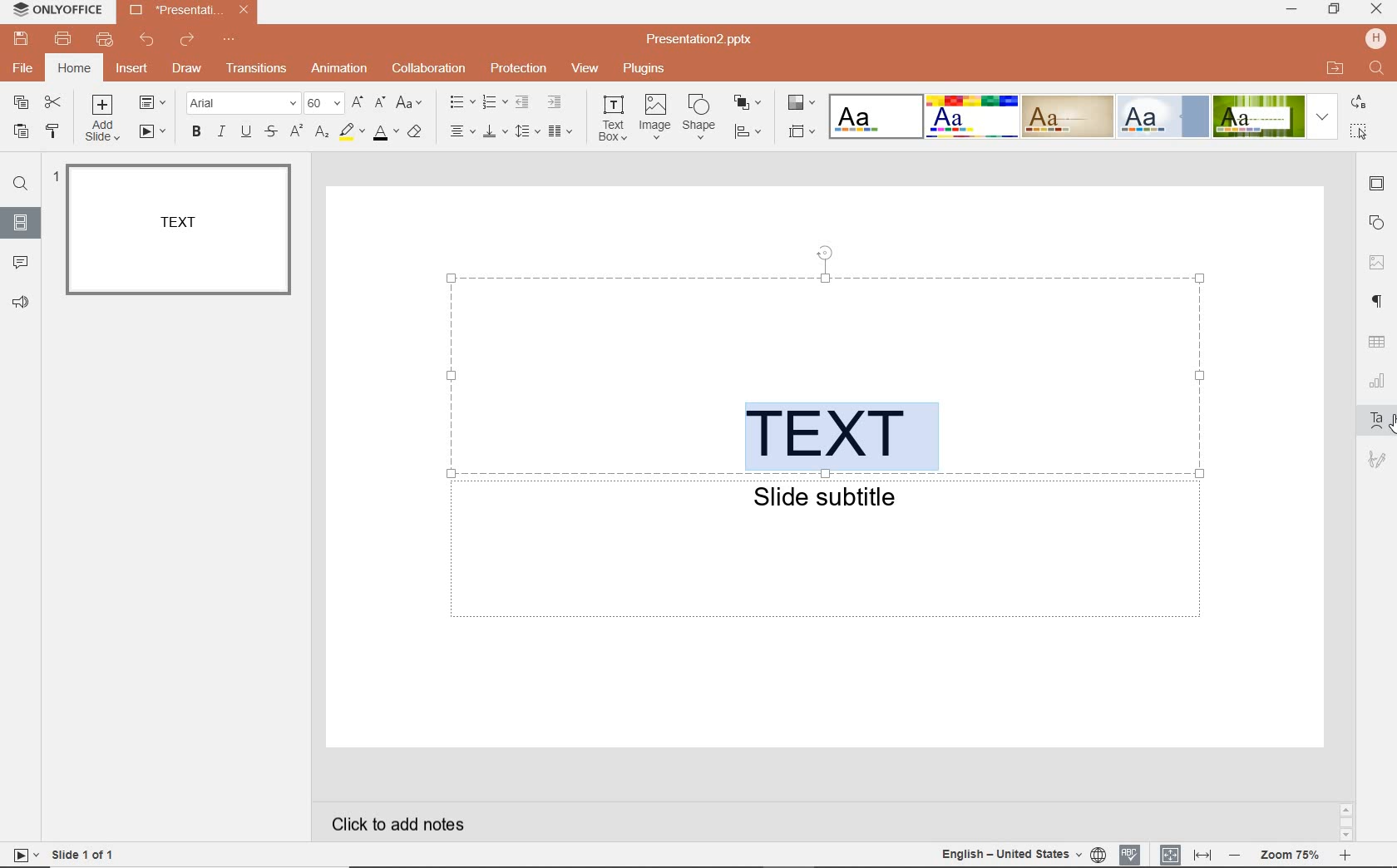 This screenshot has height=868, width=1397. I want to click on VIEW, so click(586, 70).